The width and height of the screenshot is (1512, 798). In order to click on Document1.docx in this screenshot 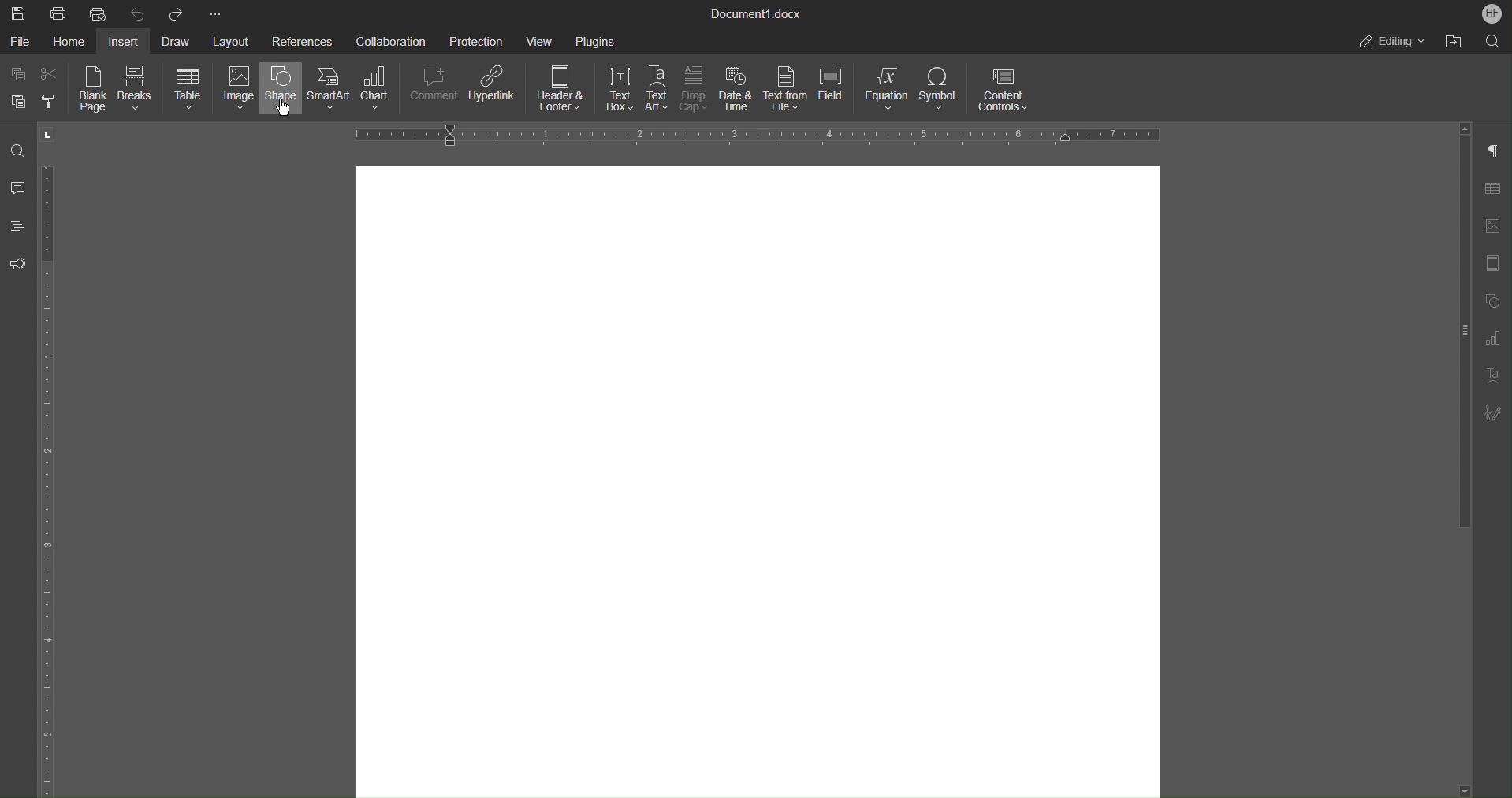, I will do `click(758, 15)`.